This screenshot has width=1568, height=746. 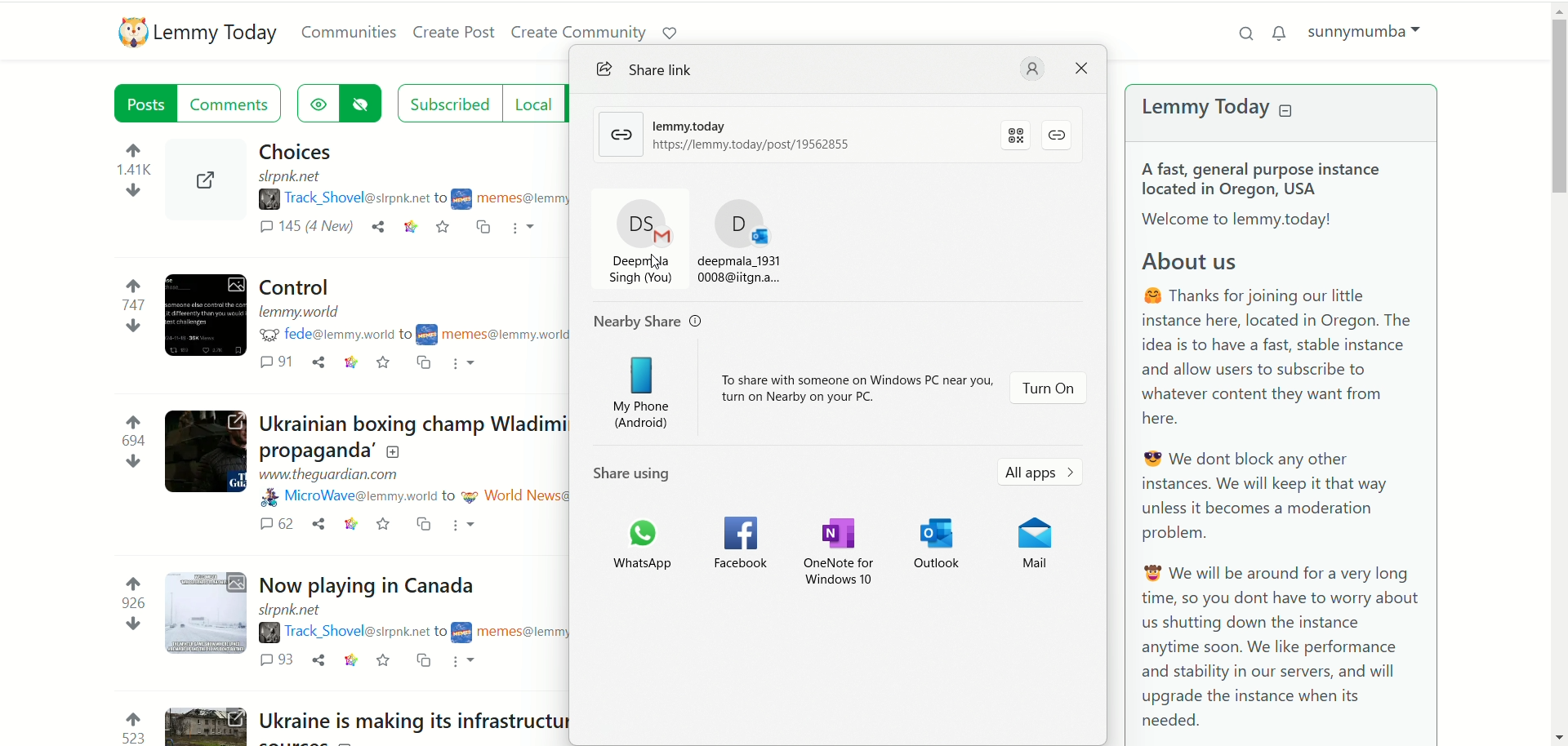 I want to click on votes up and down, so click(x=127, y=303).